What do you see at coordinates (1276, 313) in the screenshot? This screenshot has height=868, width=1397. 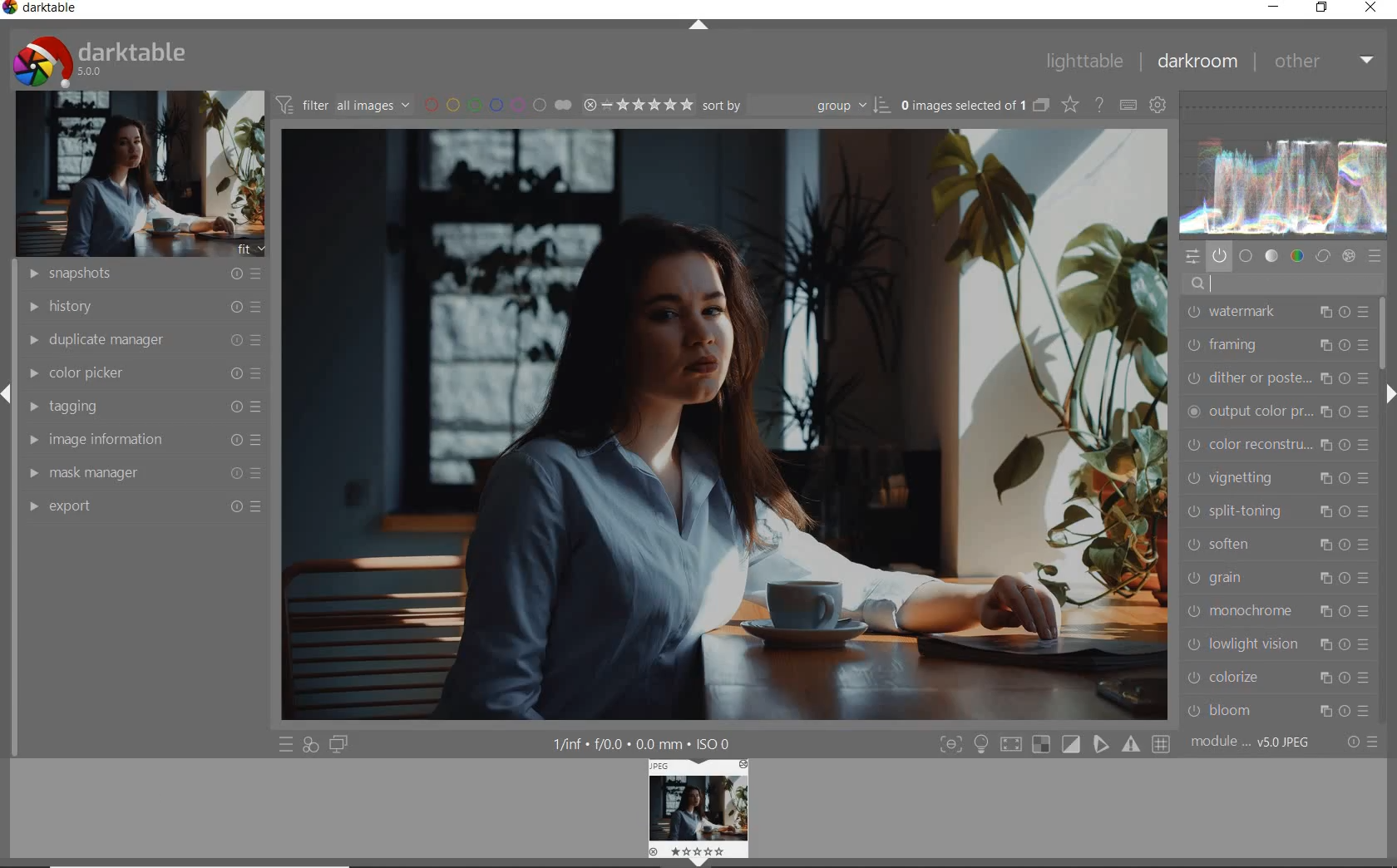 I see `watermark` at bounding box center [1276, 313].